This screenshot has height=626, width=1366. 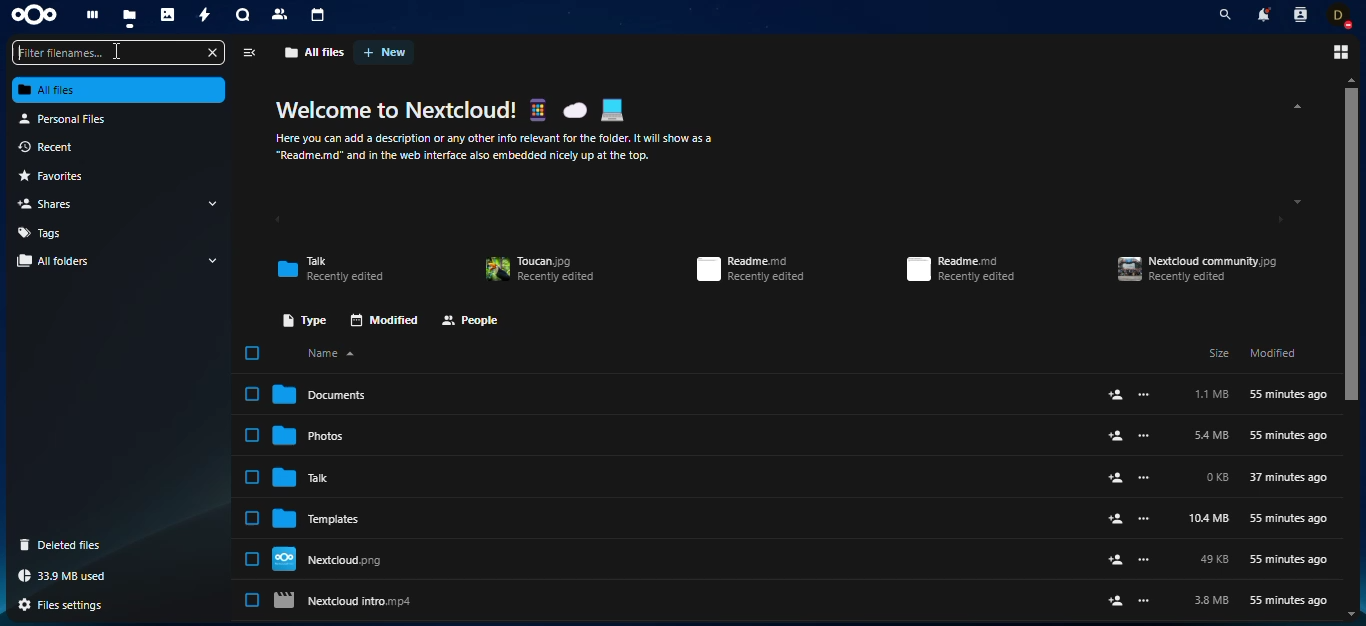 I want to click on Nextcloud intro.mp4, so click(x=682, y=601).